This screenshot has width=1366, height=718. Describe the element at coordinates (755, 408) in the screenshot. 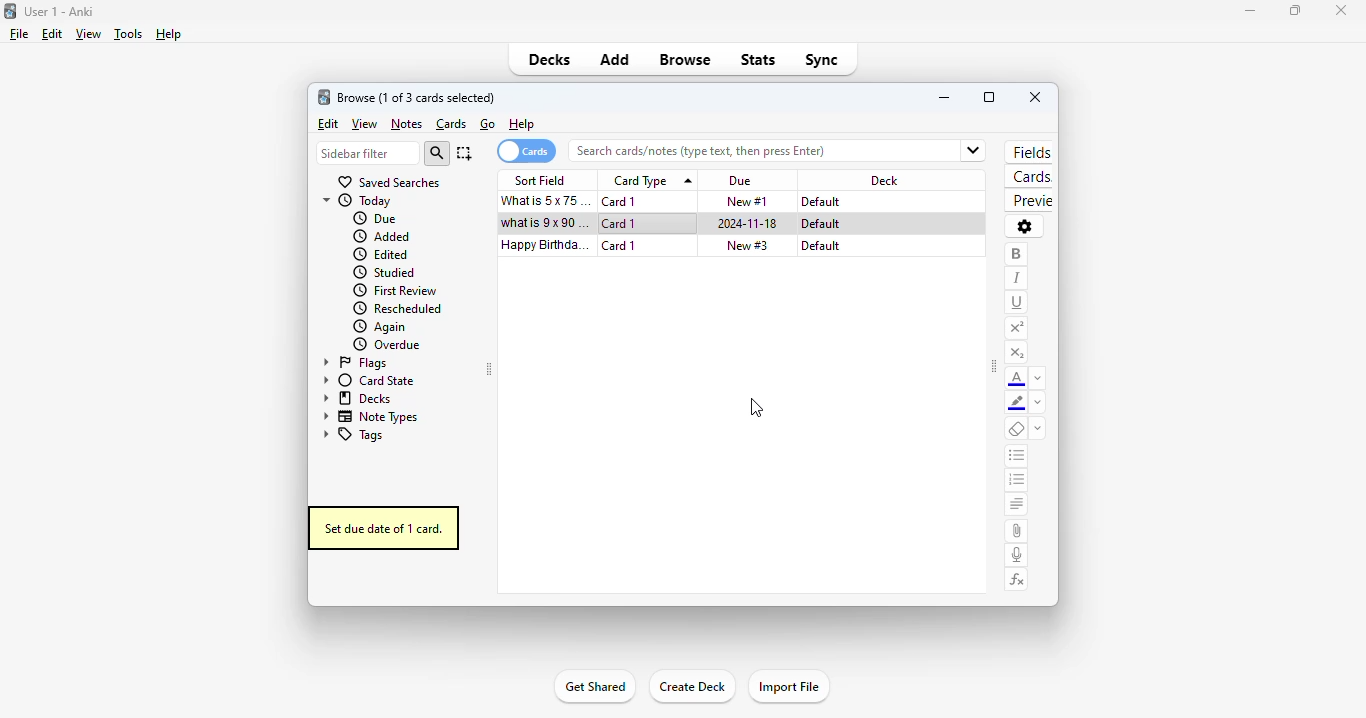

I see `cursor` at that location.